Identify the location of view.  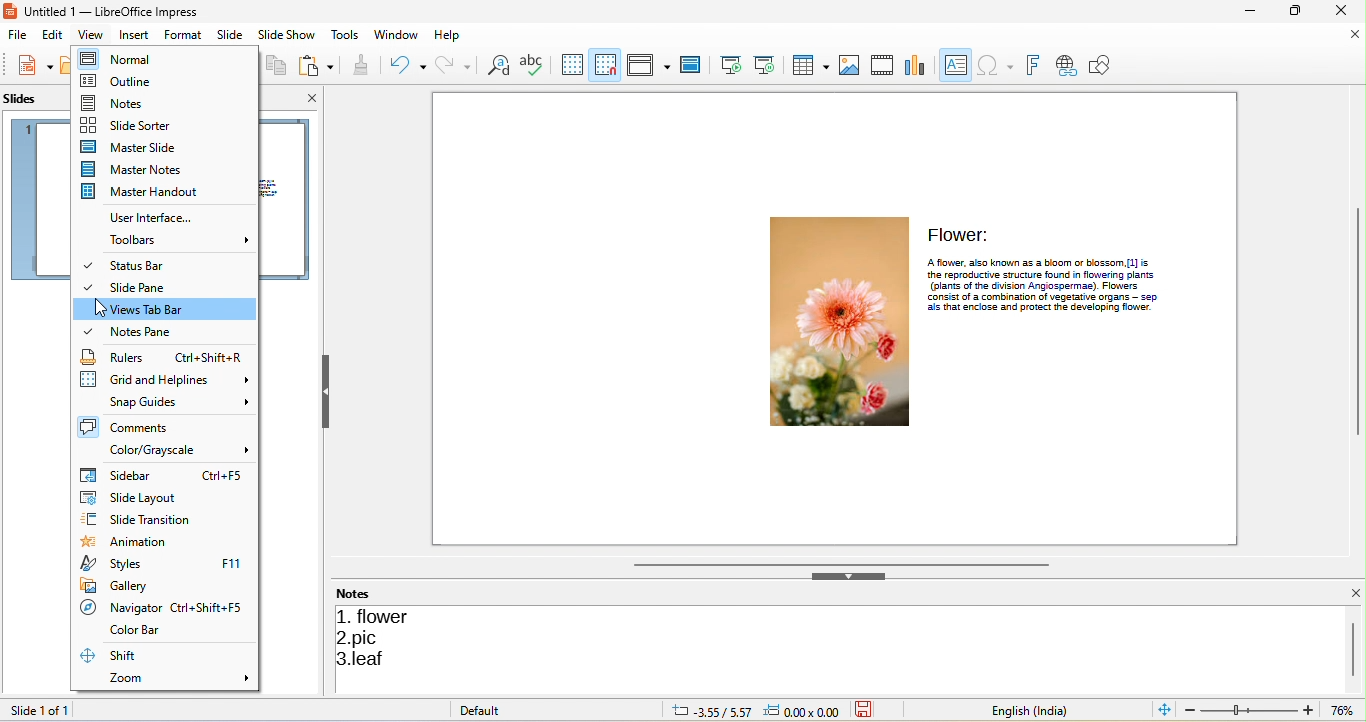
(88, 35).